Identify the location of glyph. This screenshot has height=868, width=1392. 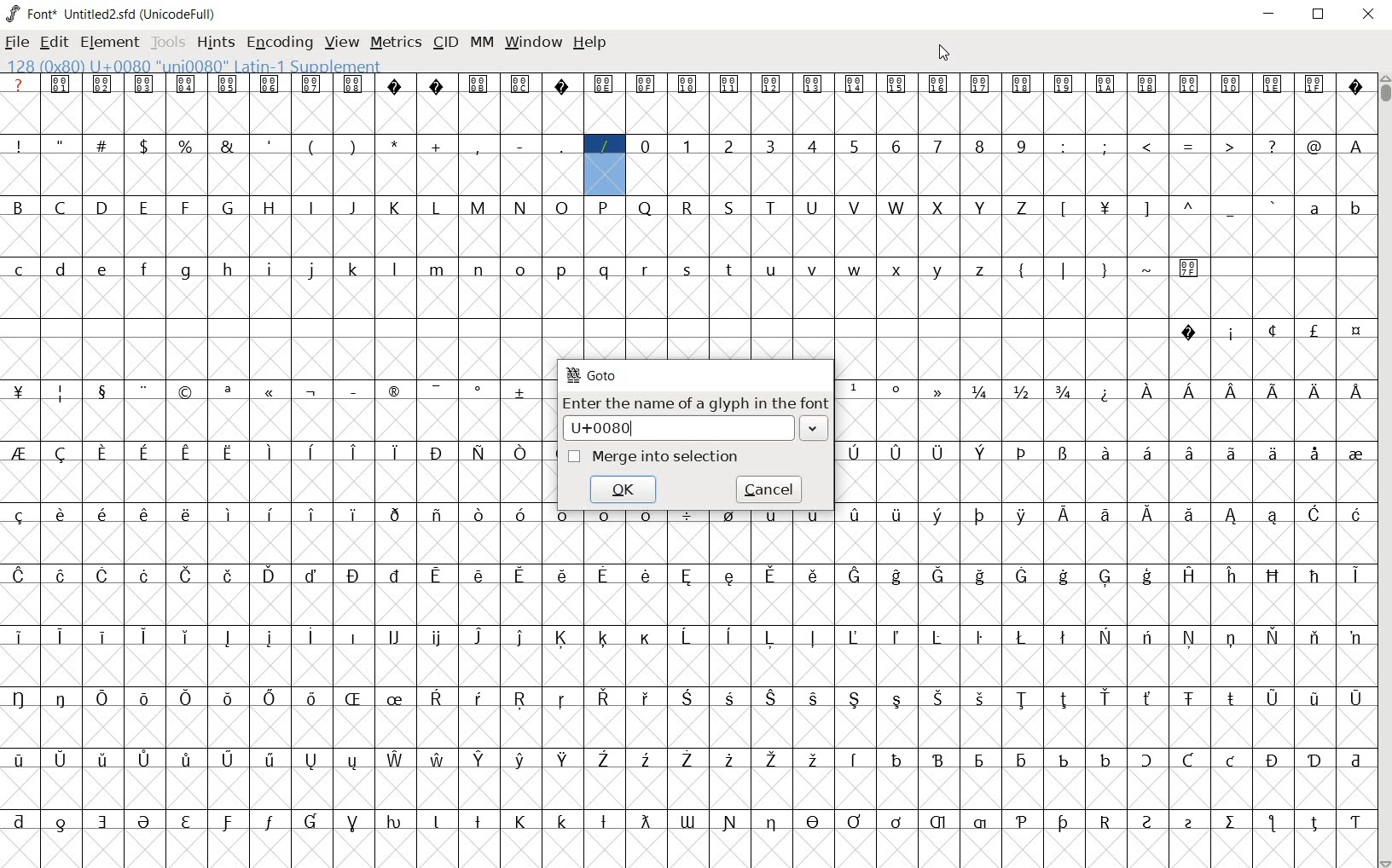
(355, 392).